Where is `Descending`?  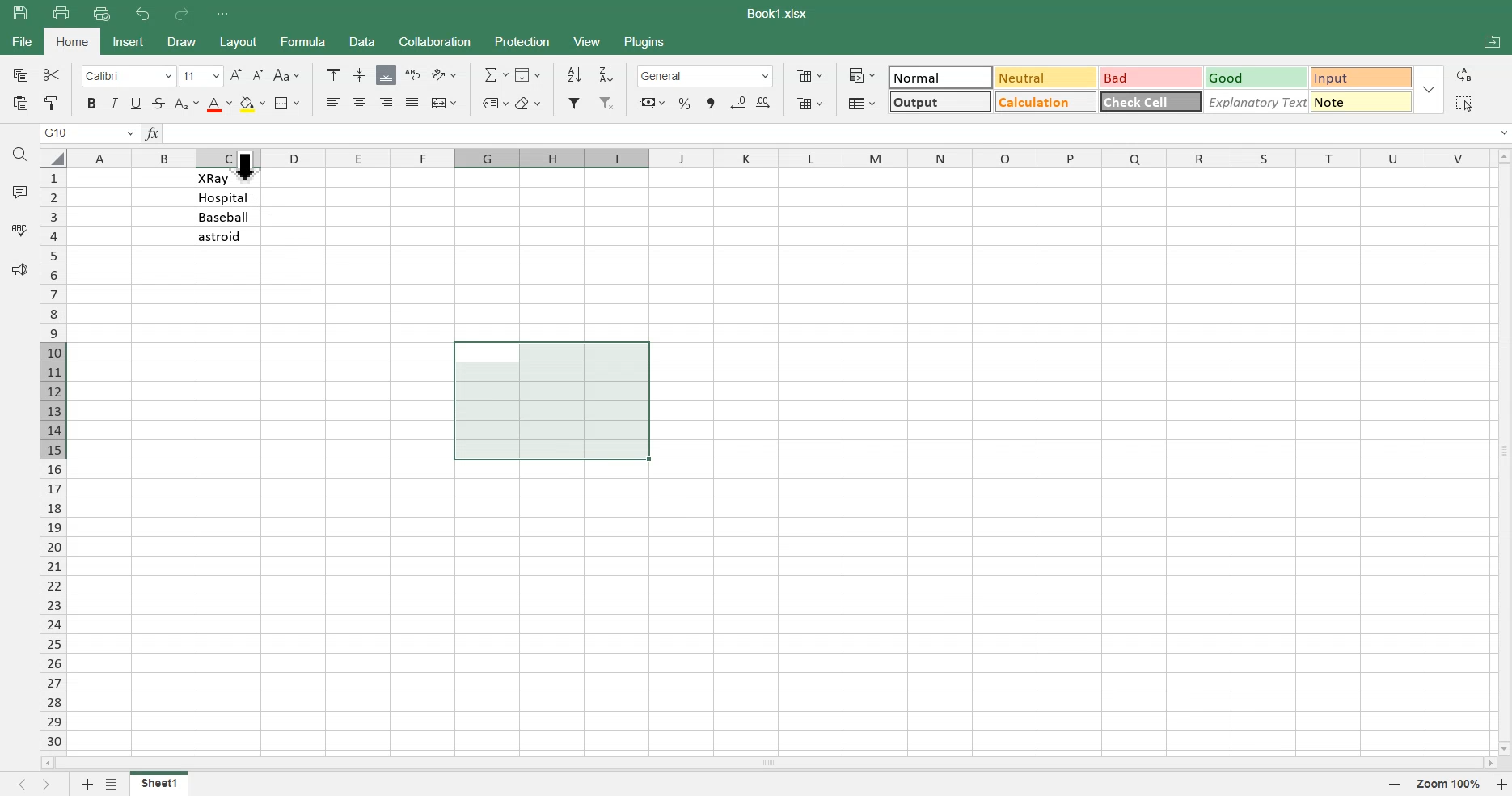
Descending is located at coordinates (607, 74).